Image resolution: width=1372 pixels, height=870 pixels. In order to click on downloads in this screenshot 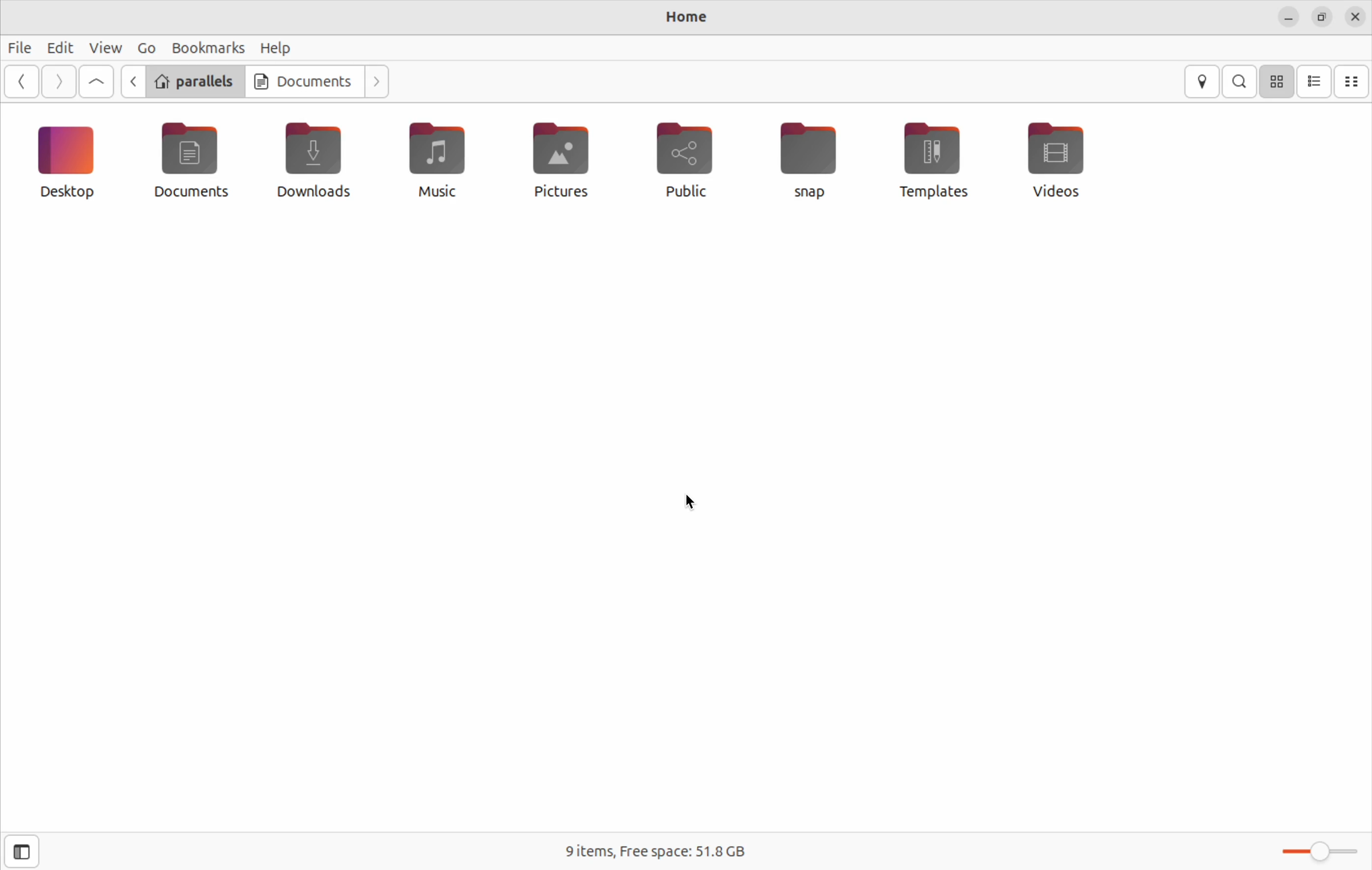, I will do `click(313, 157)`.